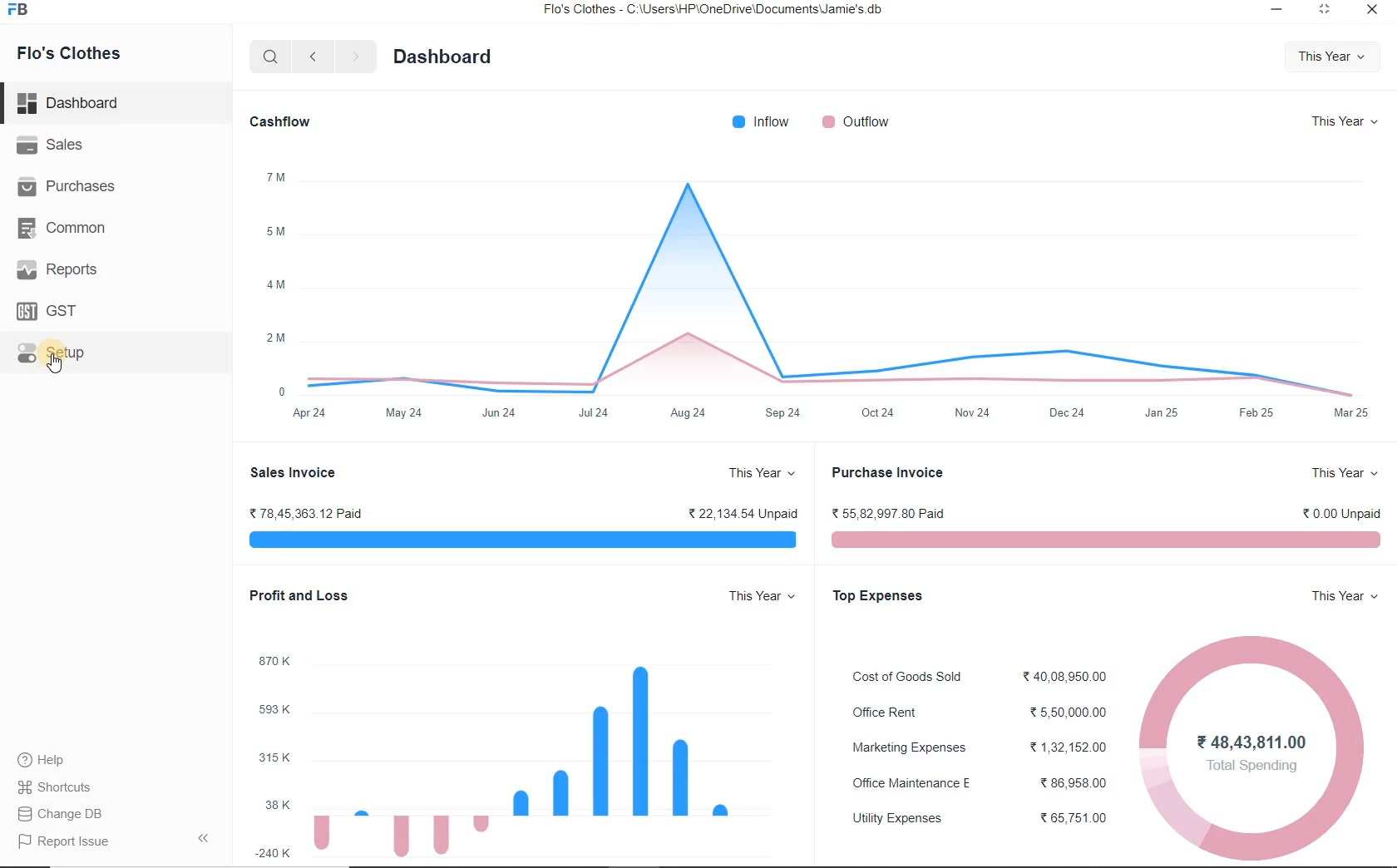  I want to click on Dec24, so click(1067, 414).